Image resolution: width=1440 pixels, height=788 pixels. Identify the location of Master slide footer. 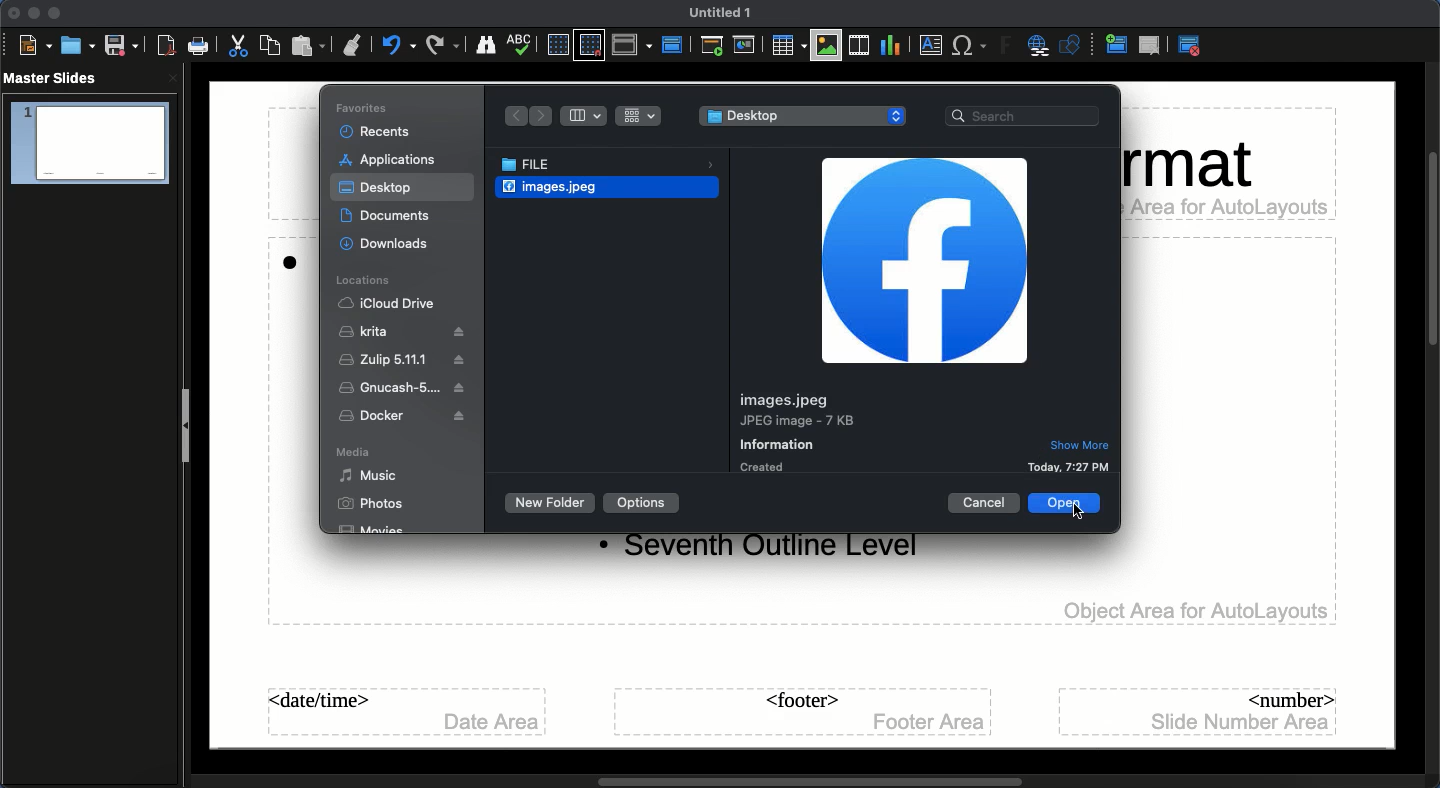
(805, 712).